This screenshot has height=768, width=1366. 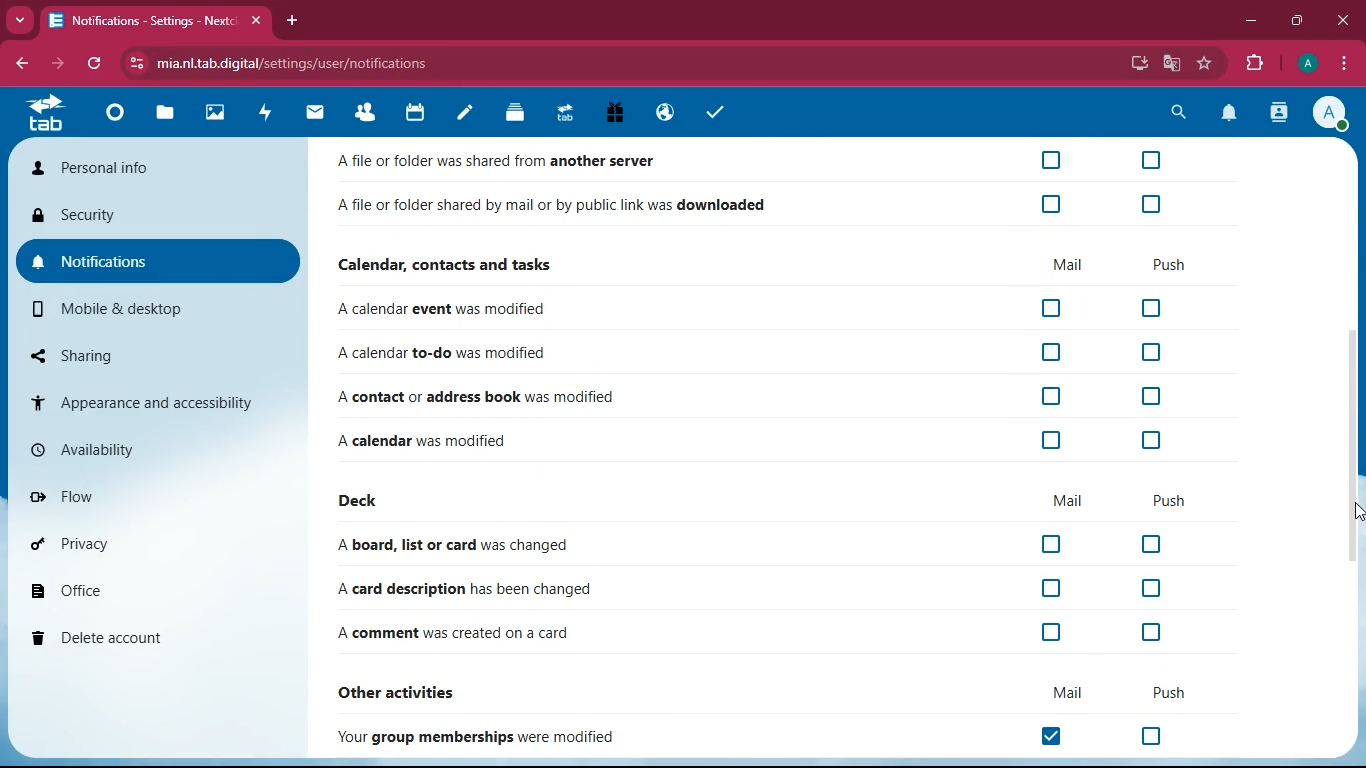 What do you see at coordinates (1250, 61) in the screenshot?
I see `extensions` at bounding box center [1250, 61].